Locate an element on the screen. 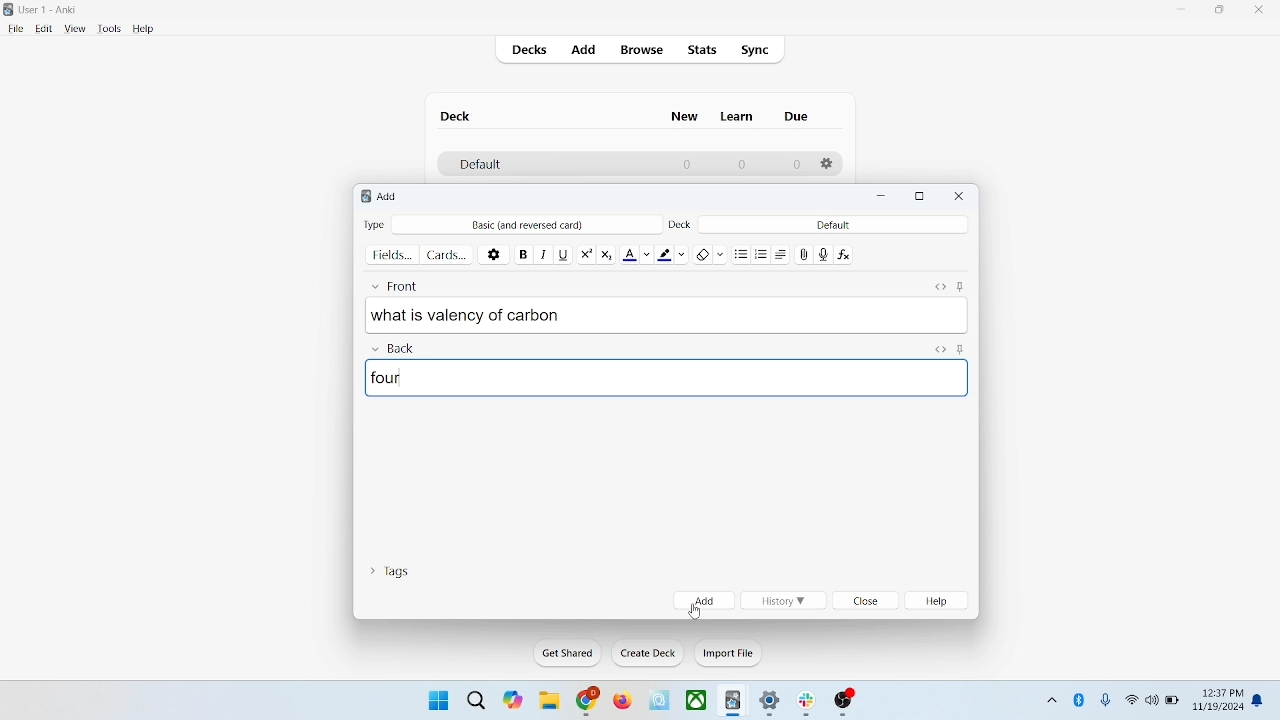  import file is located at coordinates (729, 653).